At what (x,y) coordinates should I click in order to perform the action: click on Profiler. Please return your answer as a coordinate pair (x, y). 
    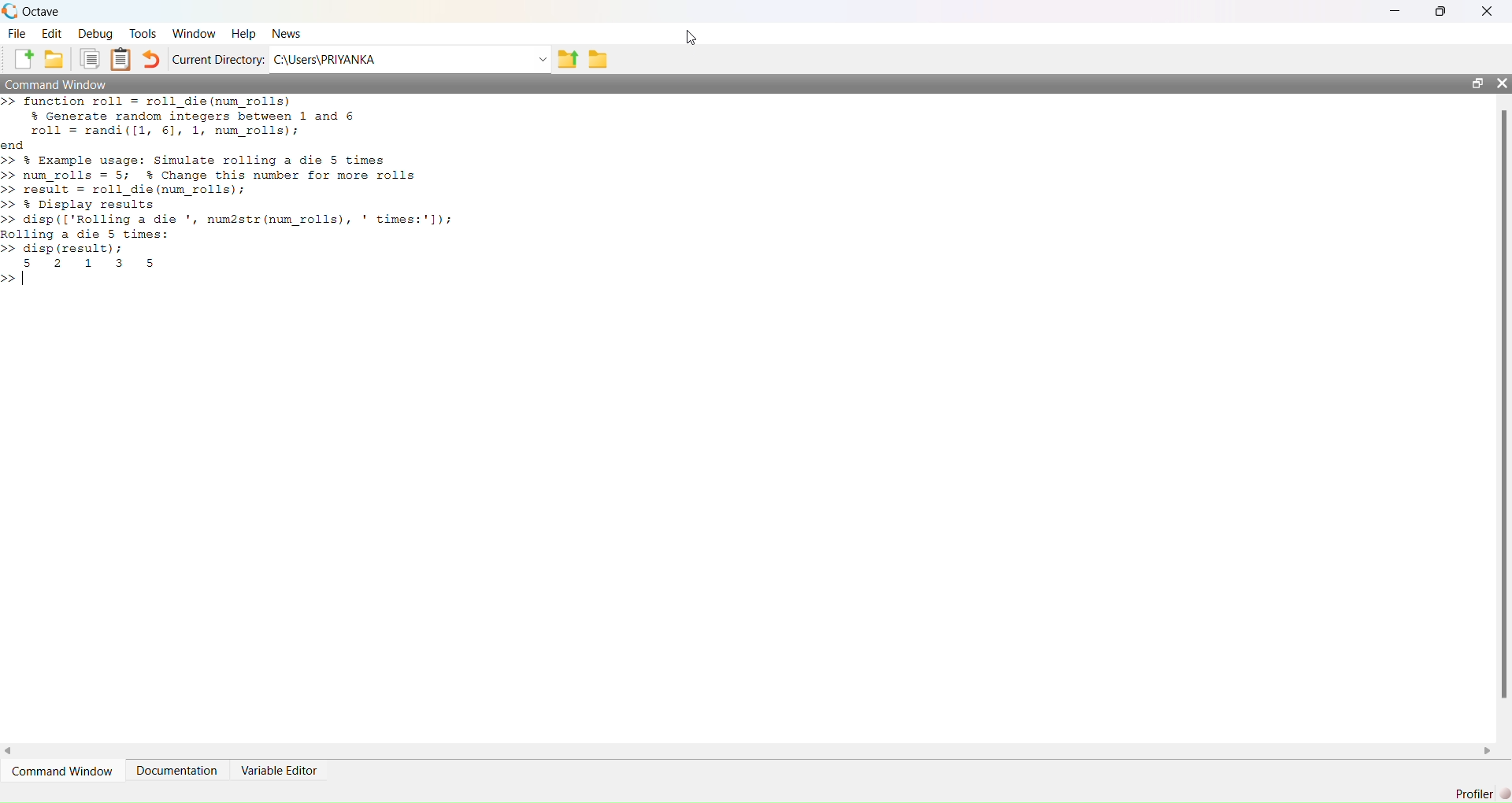
    Looking at the image, I should click on (1482, 794).